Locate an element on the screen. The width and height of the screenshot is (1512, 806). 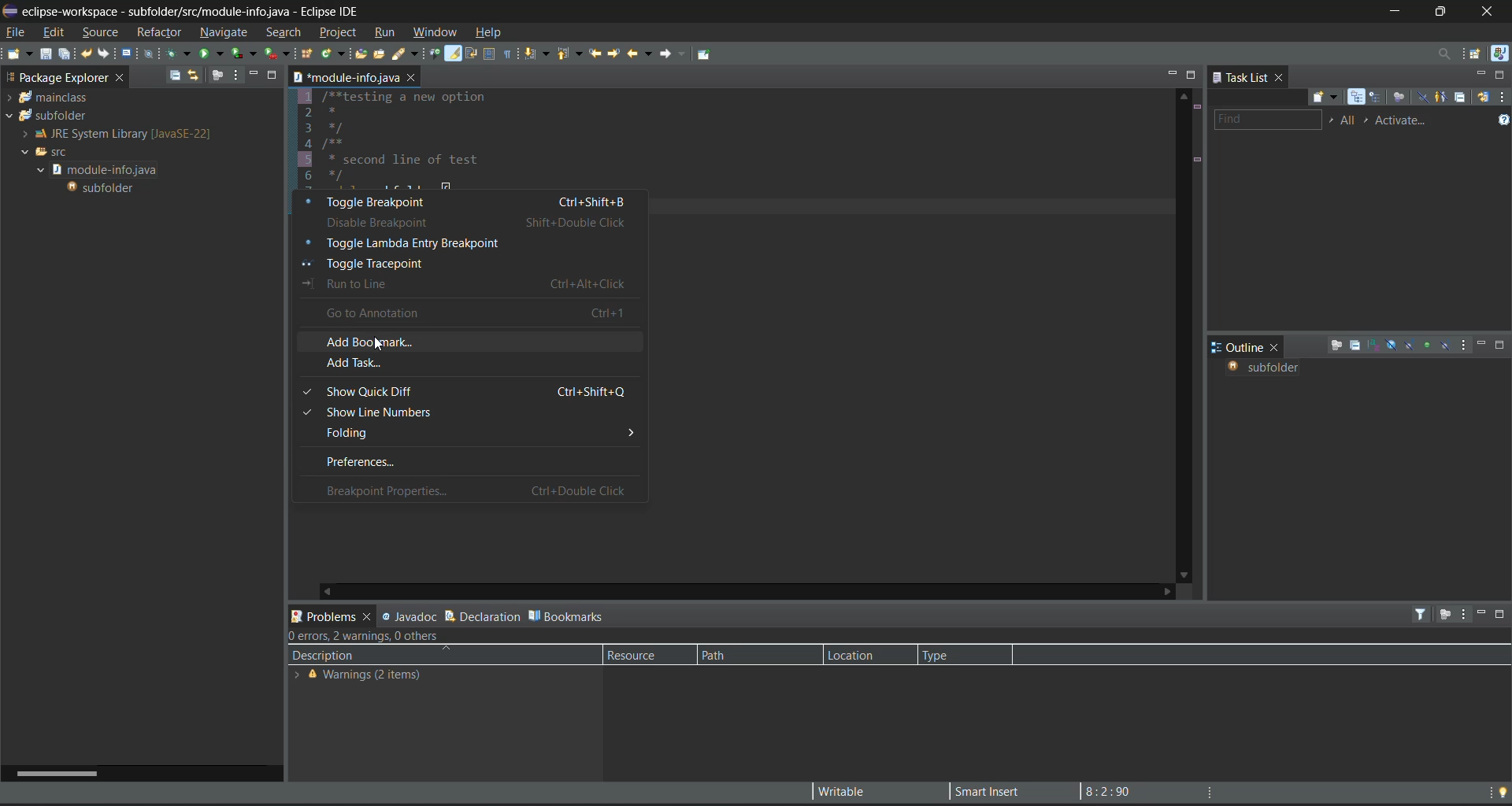
debug is located at coordinates (176, 52).